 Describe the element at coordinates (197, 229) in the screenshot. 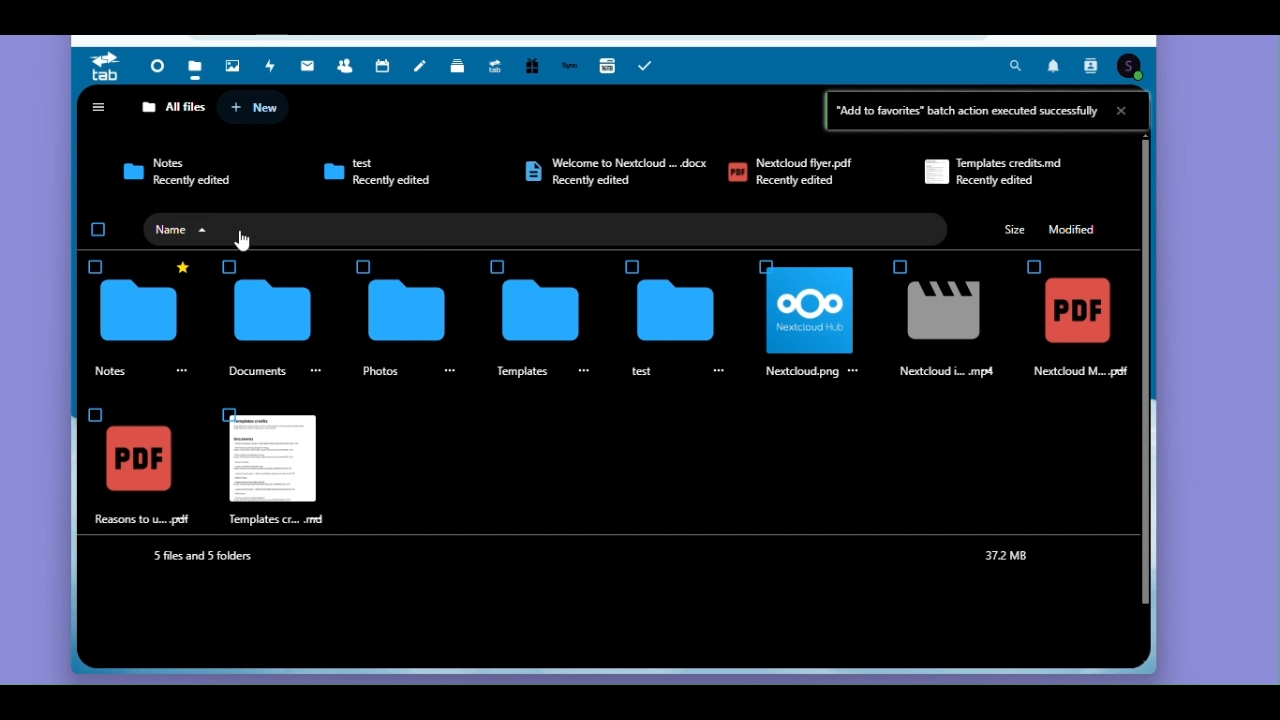

I see `Icon` at that location.